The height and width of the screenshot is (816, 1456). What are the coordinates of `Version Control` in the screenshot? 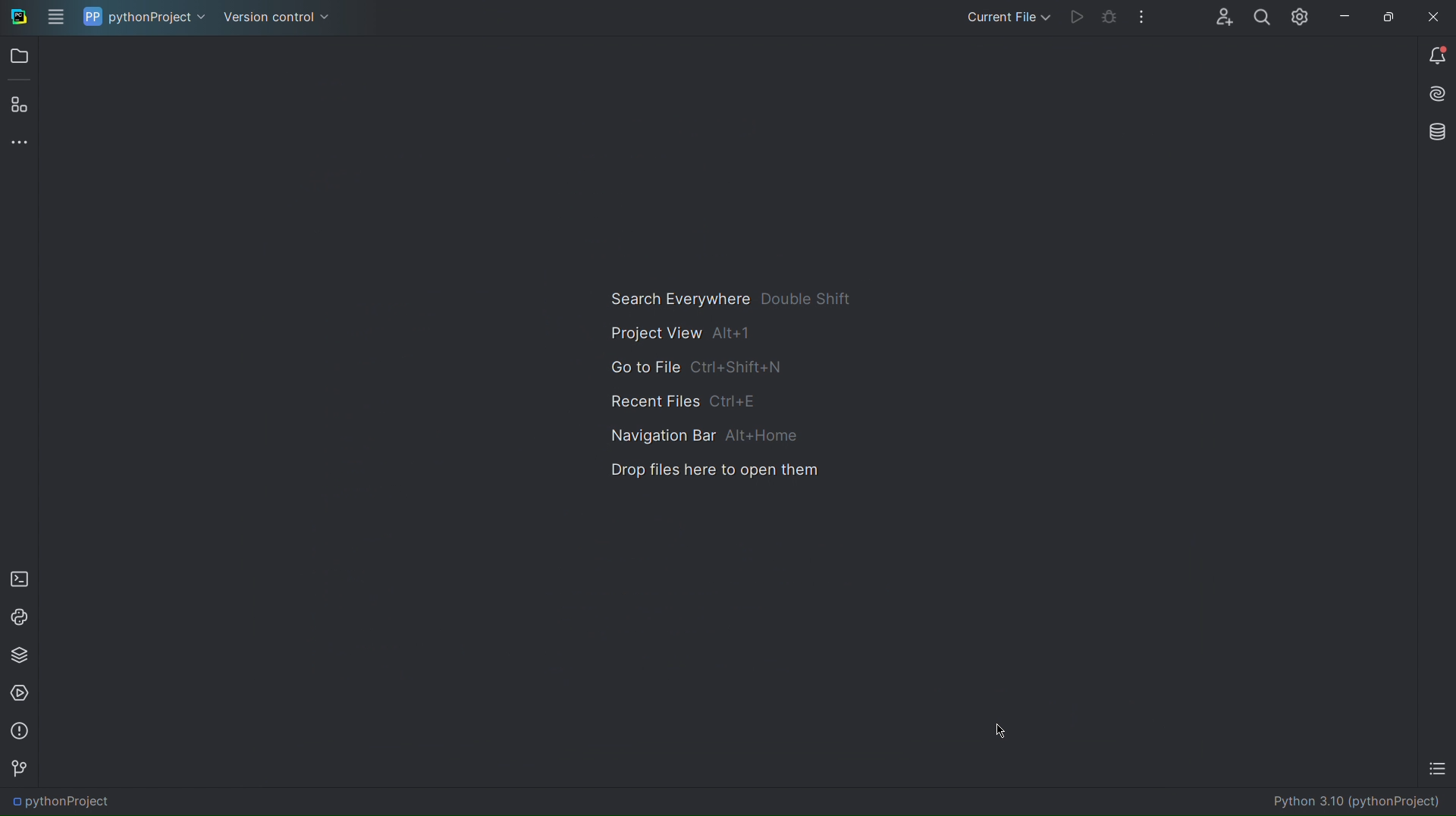 It's located at (275, 17).